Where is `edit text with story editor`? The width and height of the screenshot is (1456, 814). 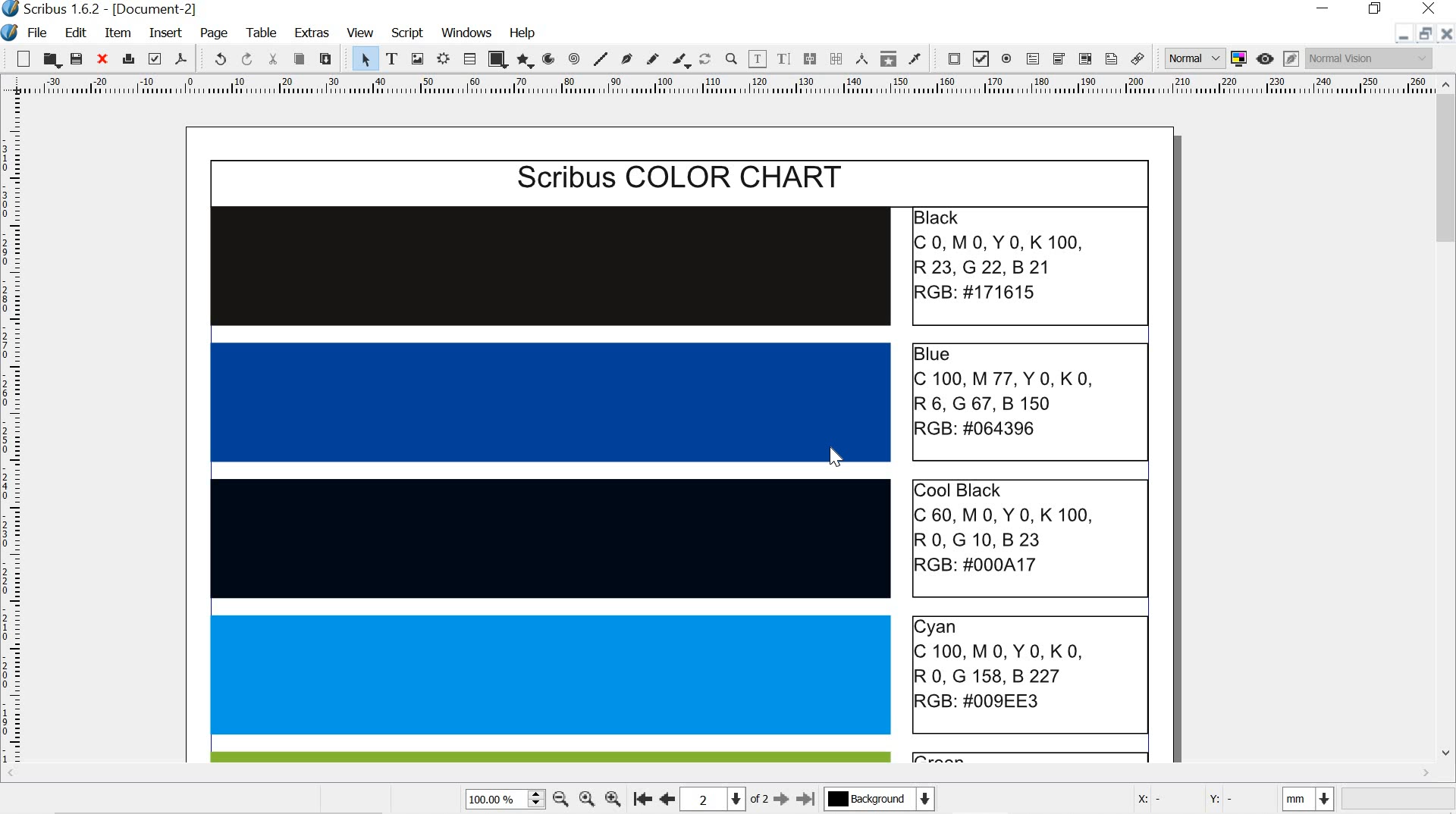
edit text with story editor is located at coordinates (783, 60).